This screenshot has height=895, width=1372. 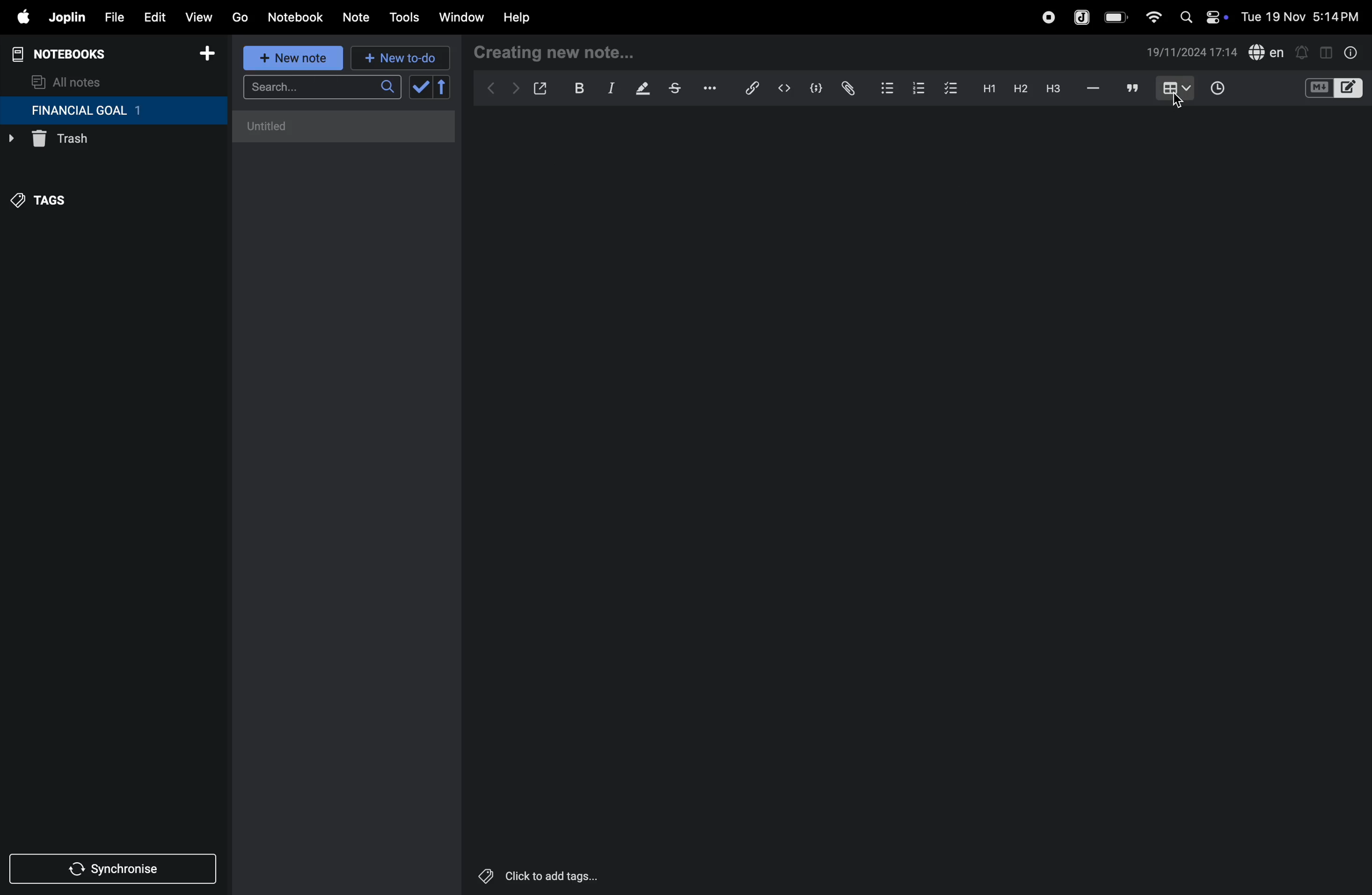 What do you see at coordinates (609, 88) in the screenshot?
I see `itallic` at bounding box center [609, 88].